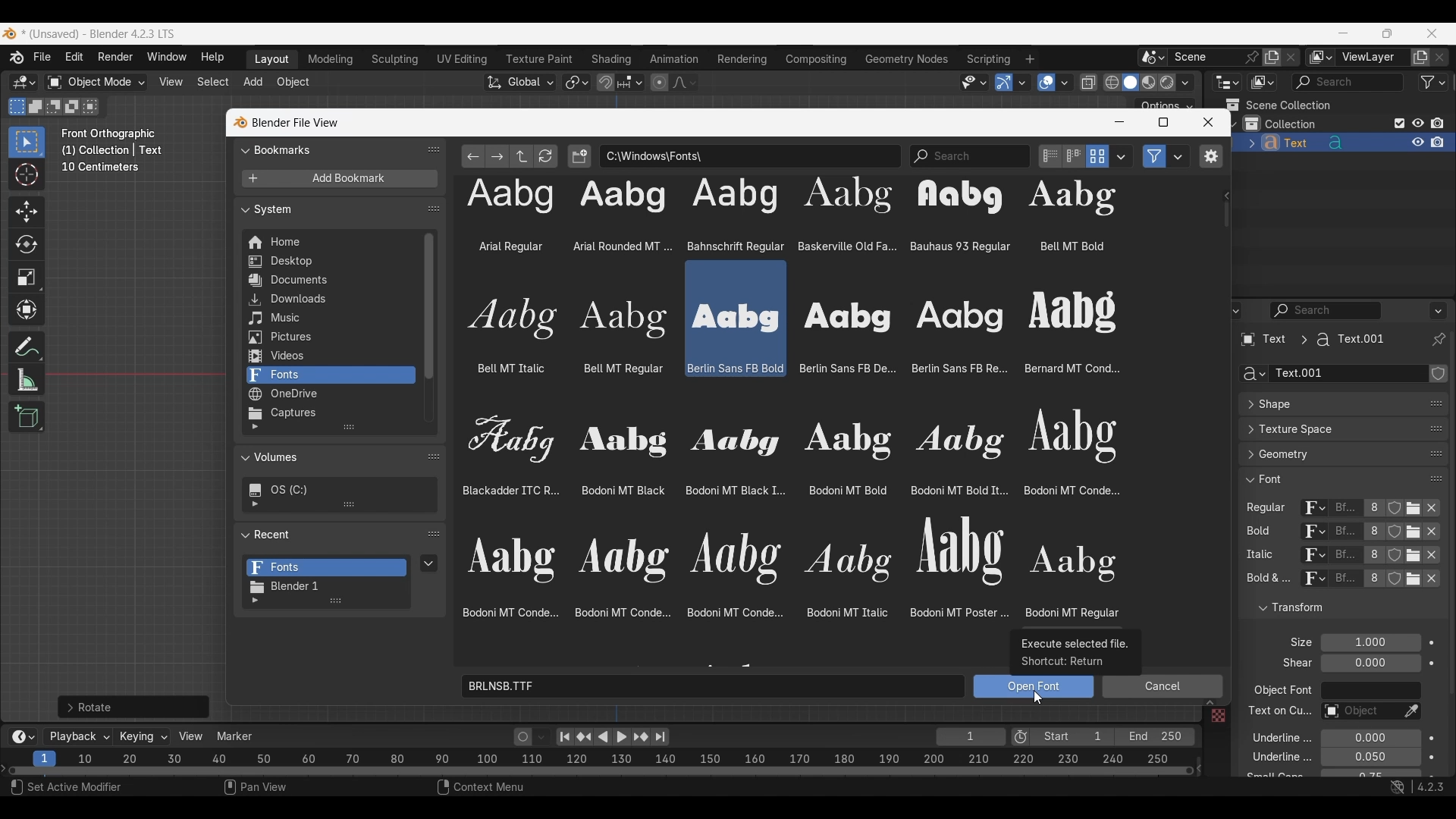 The image size is (1456, 819). What do you see at coordinates (1200, 767) in the screenshot?
I see `Decrease frames space` at bounding box center [1200, 767].